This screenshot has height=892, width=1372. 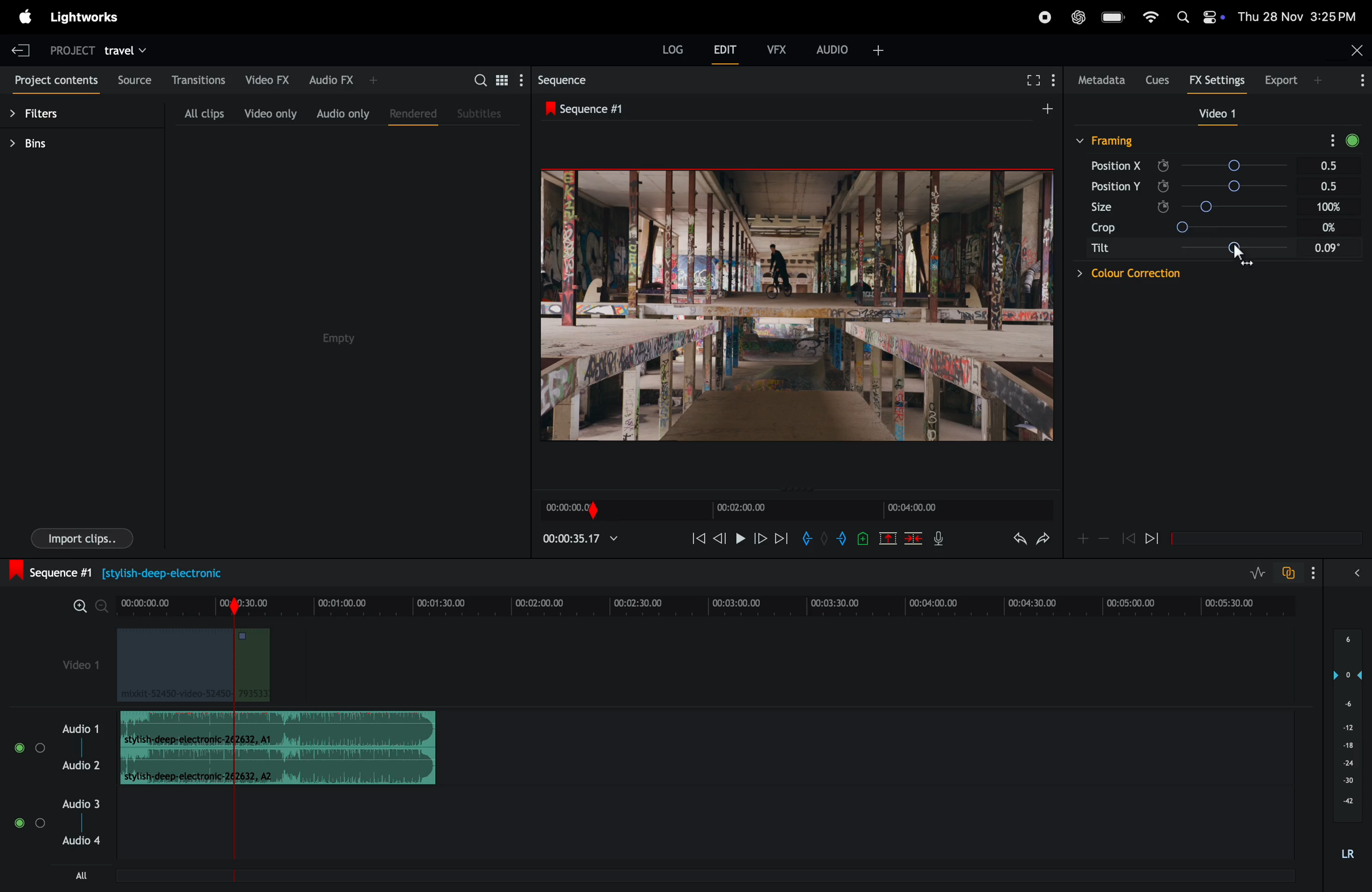 I want to click on video only, so click(x=269, y=114).